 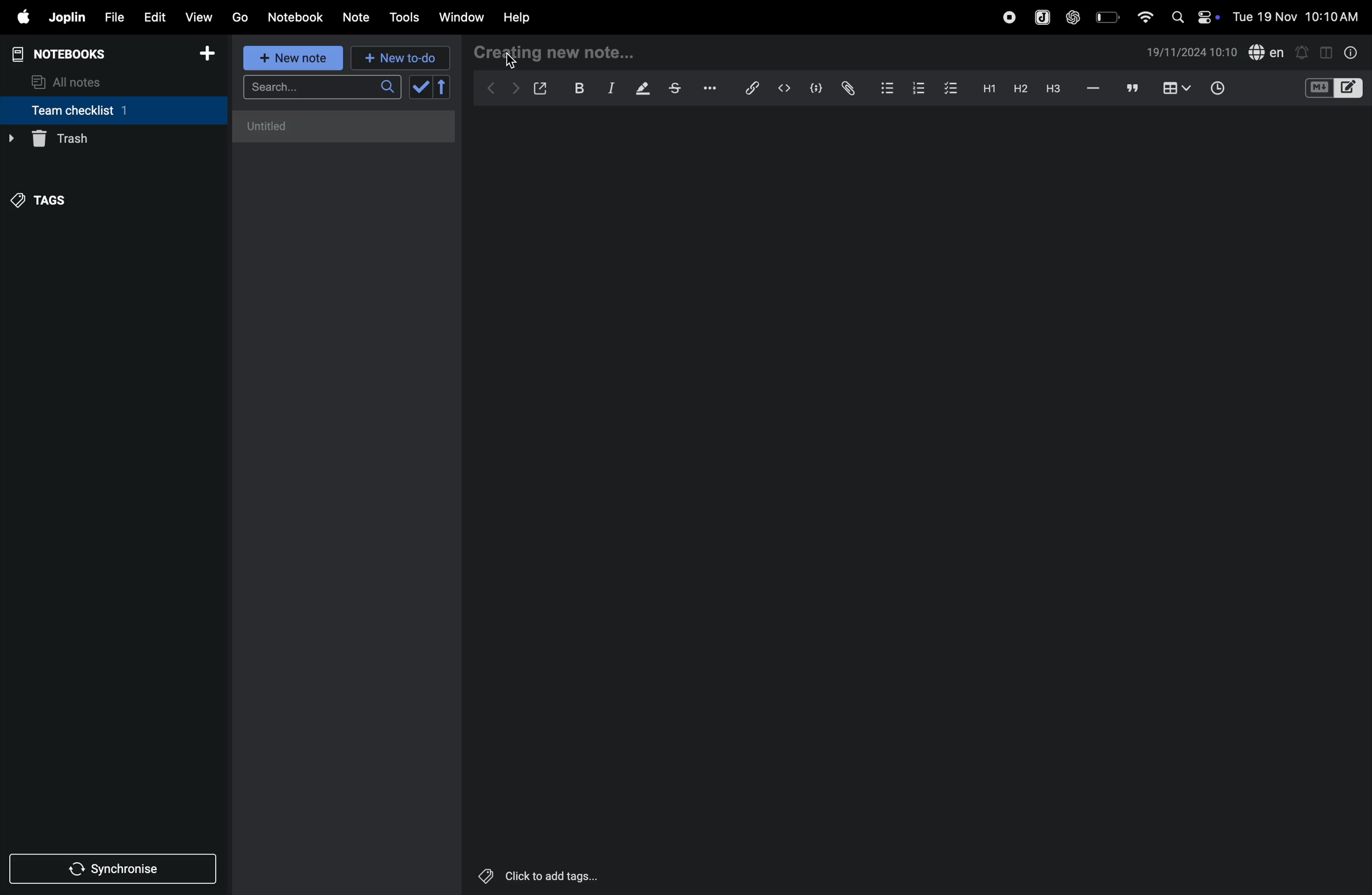 I want to click on trash, so click(x=109, y=139).